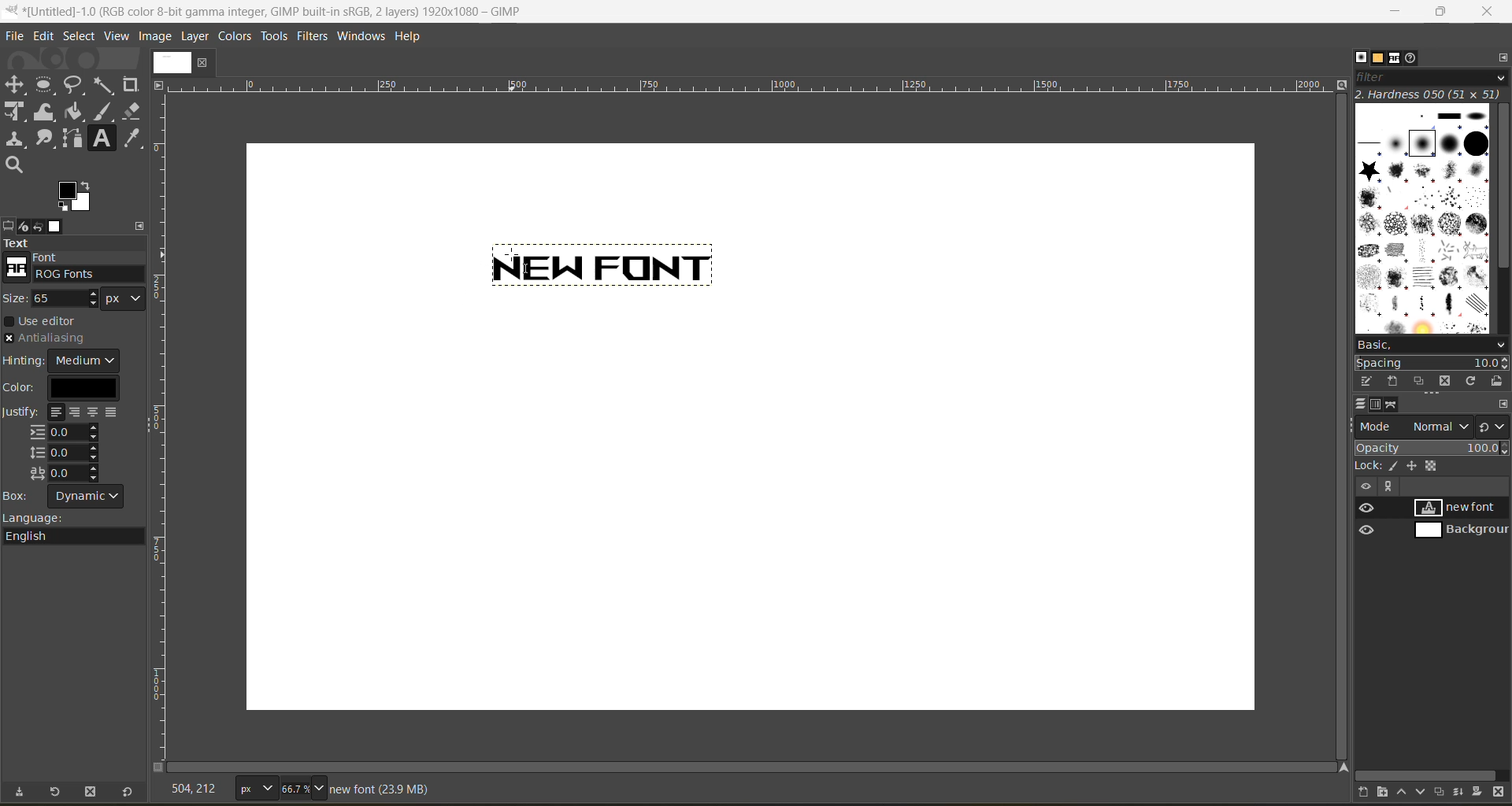  Describe the element at coordinates (1499, 383) in the screenshot. I see `open brush as image` at that location.